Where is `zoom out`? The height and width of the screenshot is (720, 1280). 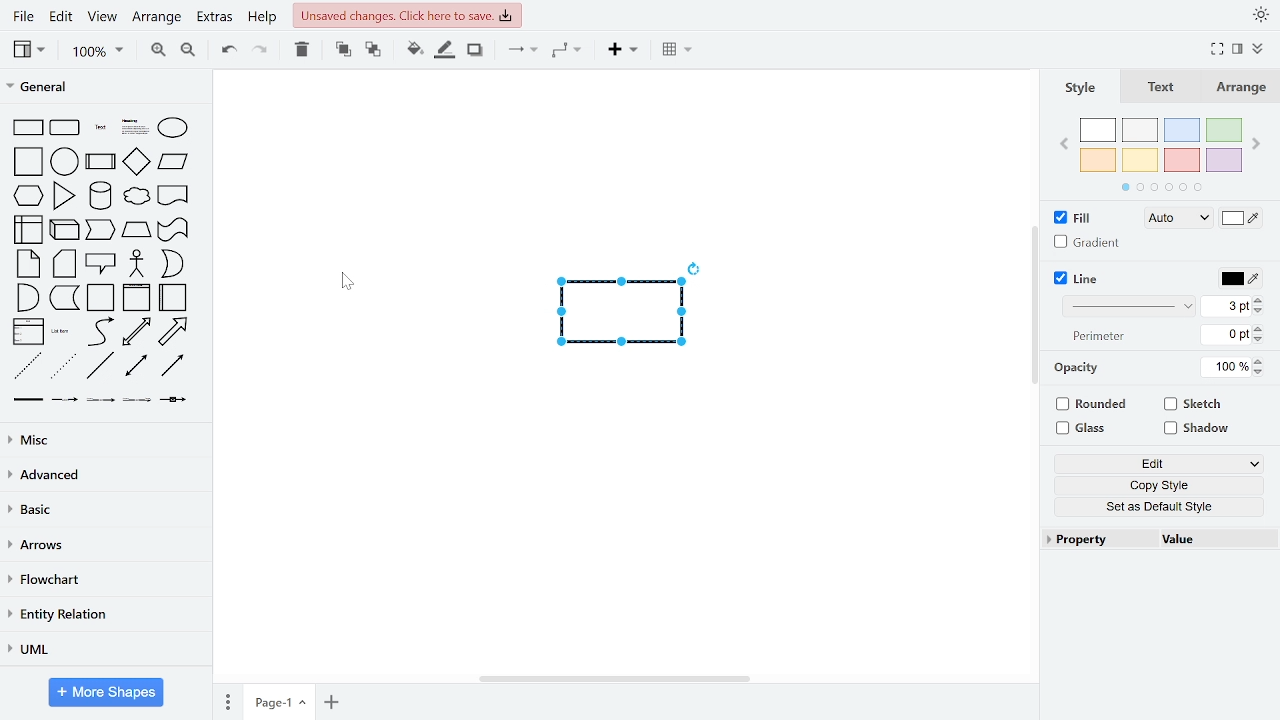
zoom out is located at coordinates (192, 52).